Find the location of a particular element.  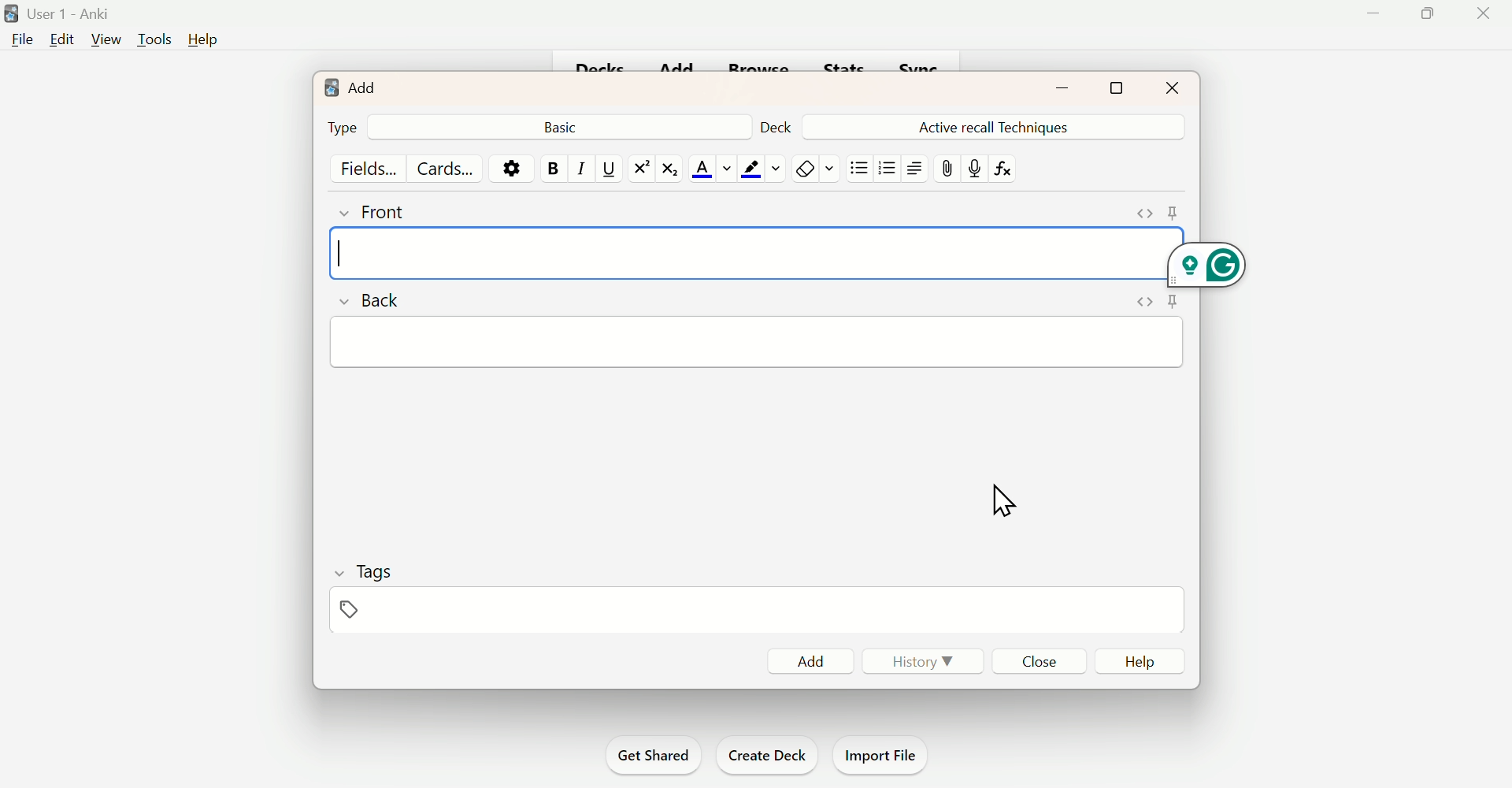

History is located at coordinates (929, 663).